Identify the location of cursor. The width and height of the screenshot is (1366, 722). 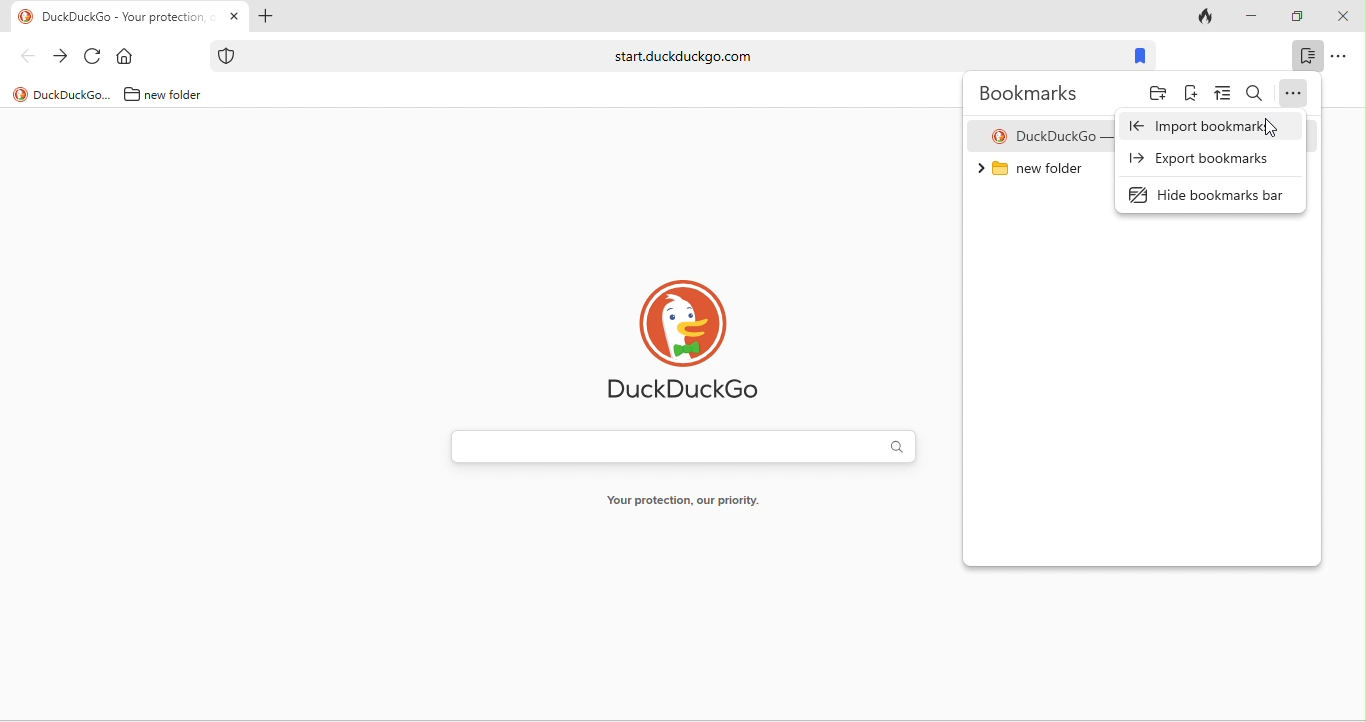
(1272, 128).